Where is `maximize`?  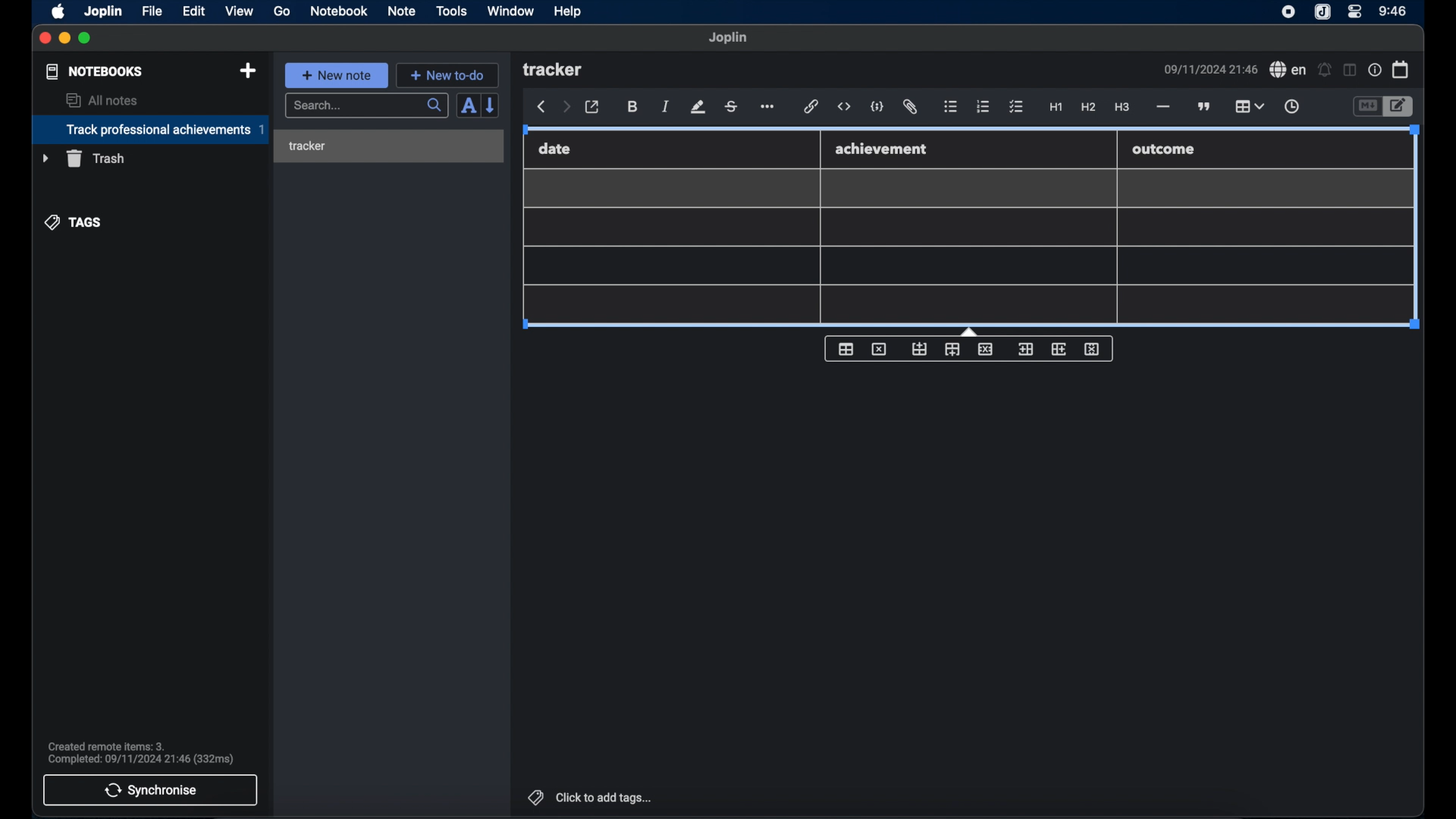
maximize is located at coordinates (86, 39).